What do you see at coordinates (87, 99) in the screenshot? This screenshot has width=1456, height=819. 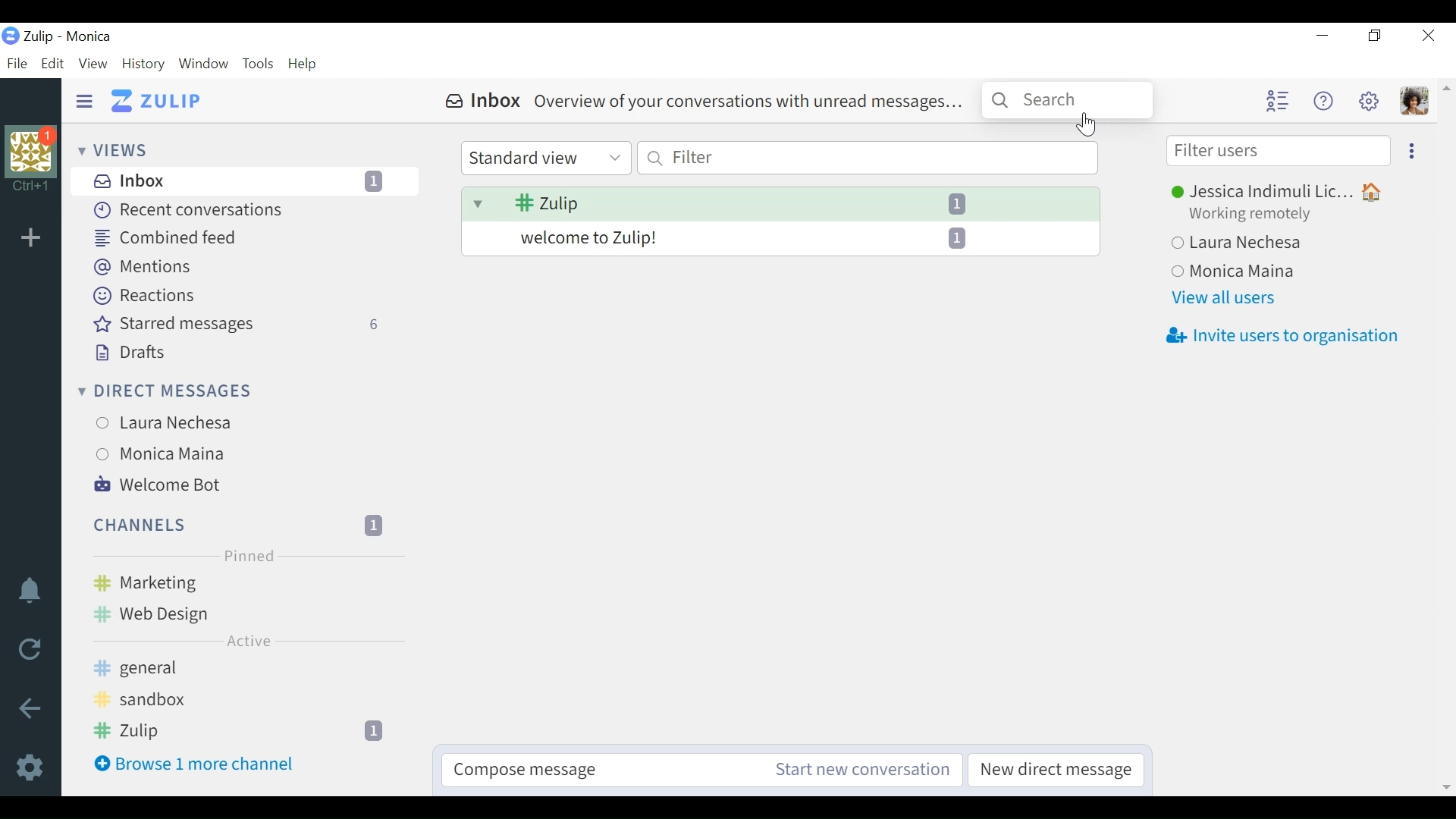 I see `Hide` at bounding box center [87, 99].